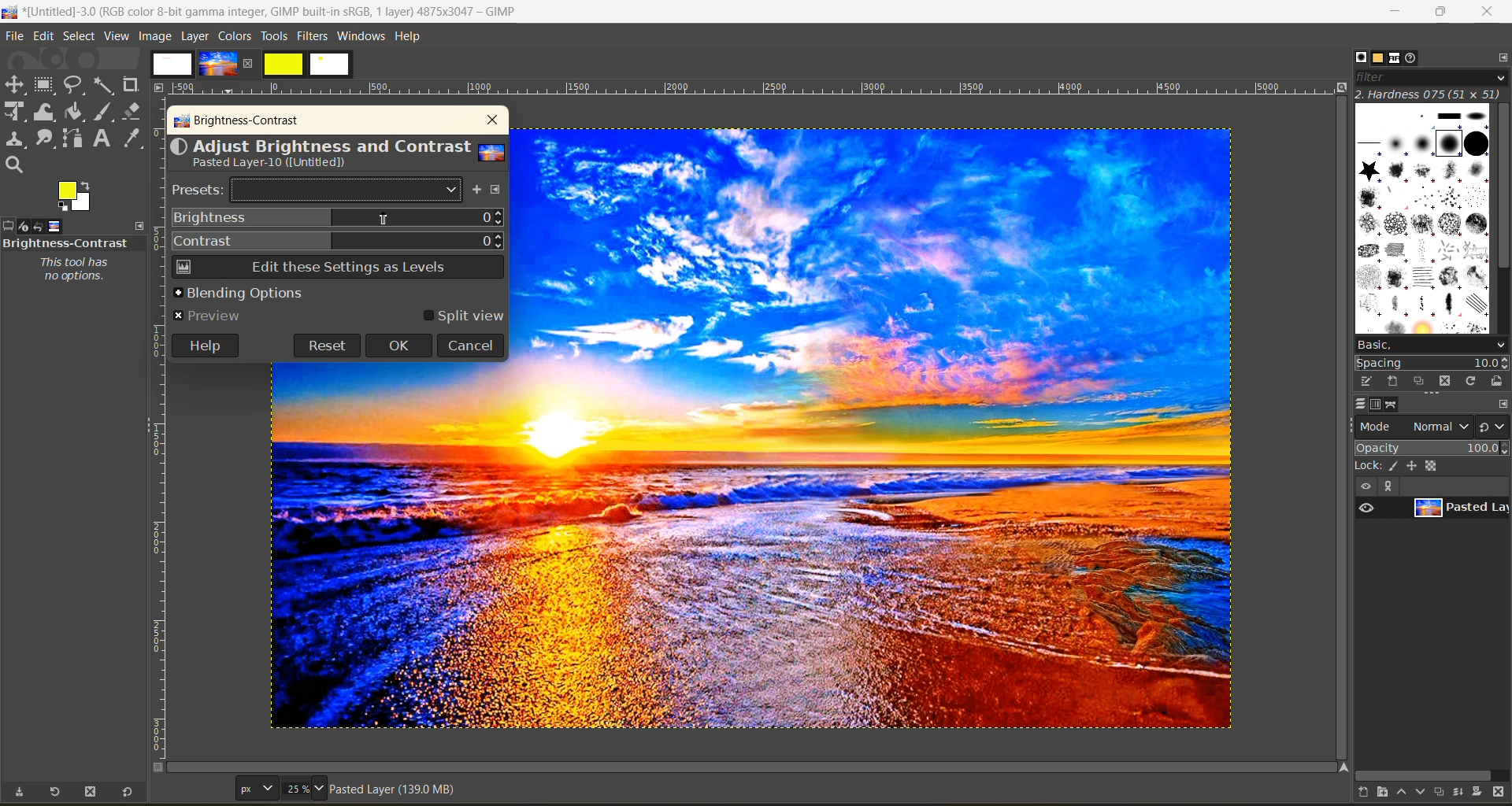 The image size is (1512, 806). I want to click on This tool has no options, so click(72, 270).